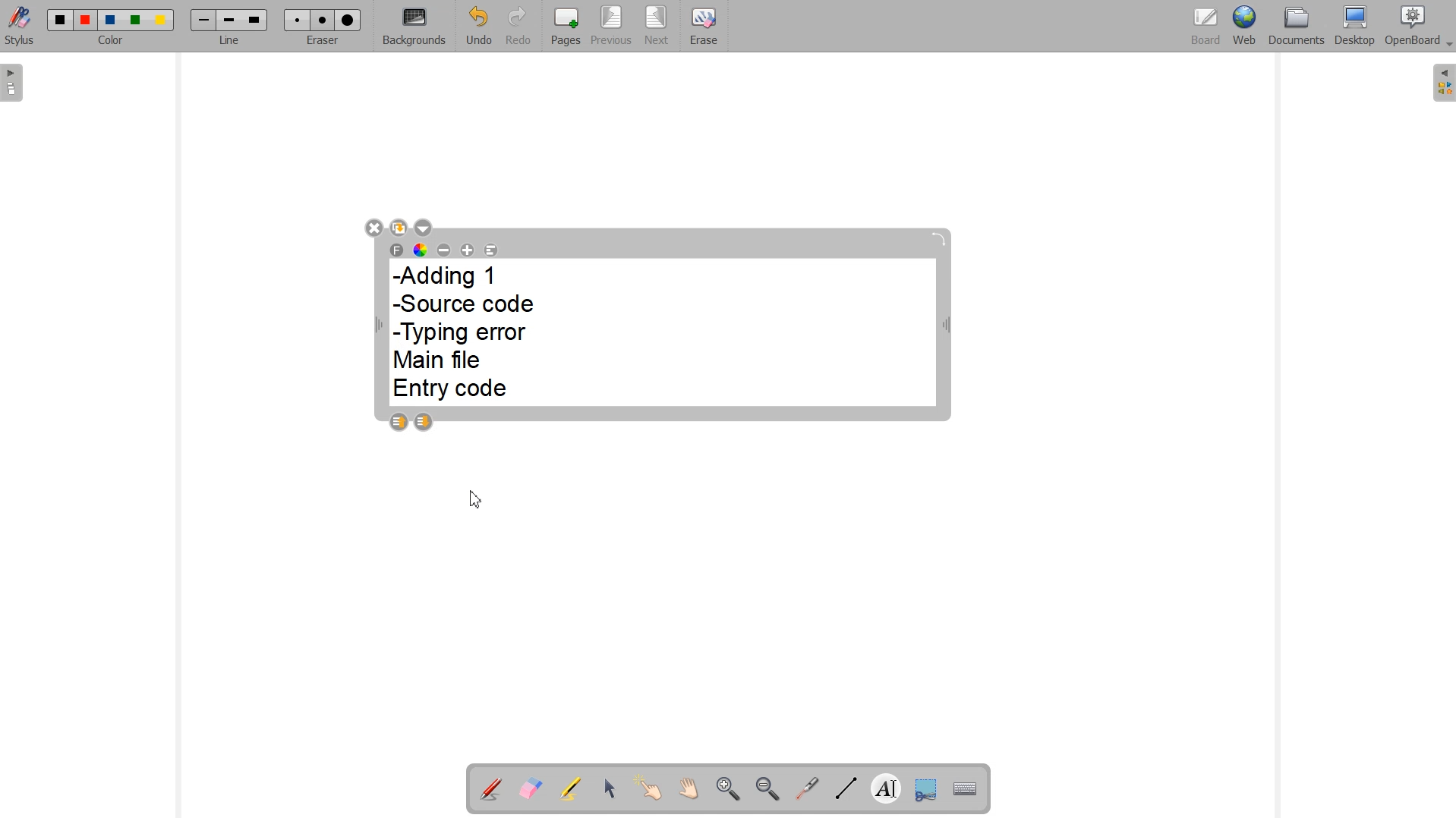 The width and height of the screenshot is (1456, 818). What do you see at coordinates (468, 250) in the screenshot?
I see `Increase font size ` at bounding box center [468, 250].